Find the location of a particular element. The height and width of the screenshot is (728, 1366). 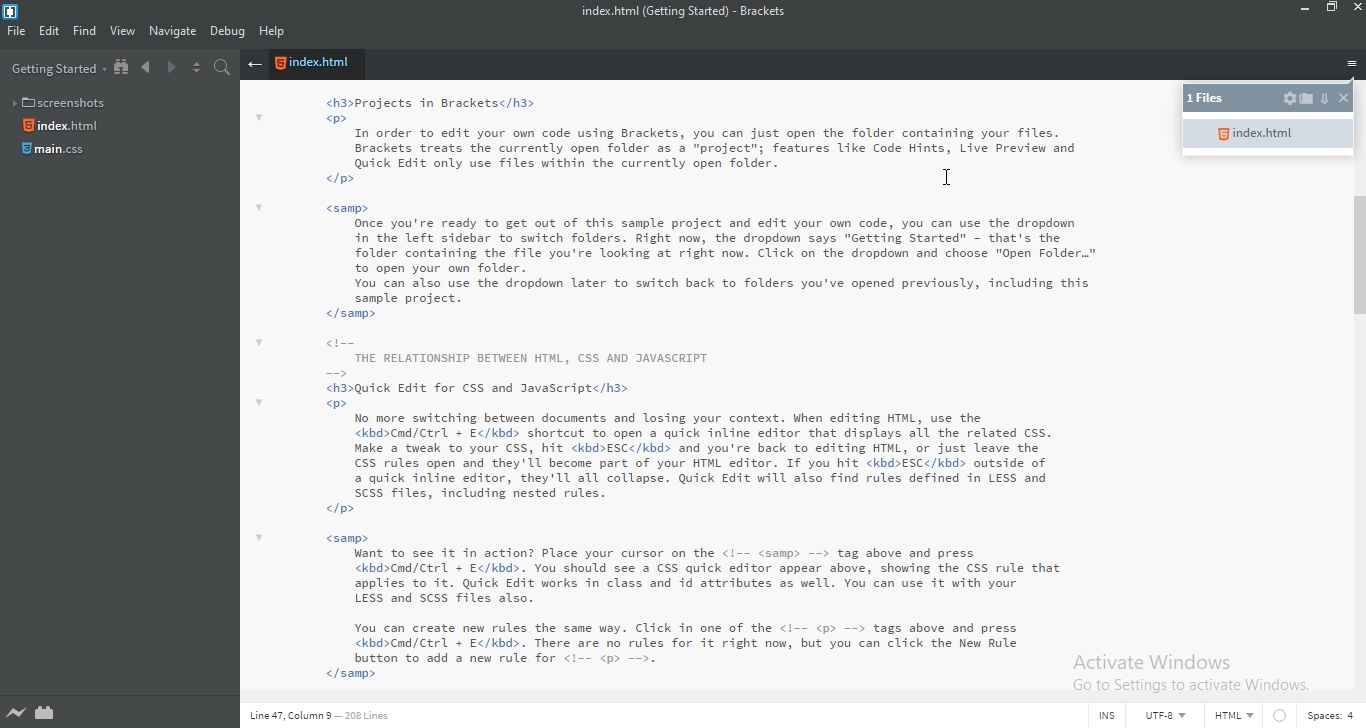

close is located at coordinates (1357, 8).